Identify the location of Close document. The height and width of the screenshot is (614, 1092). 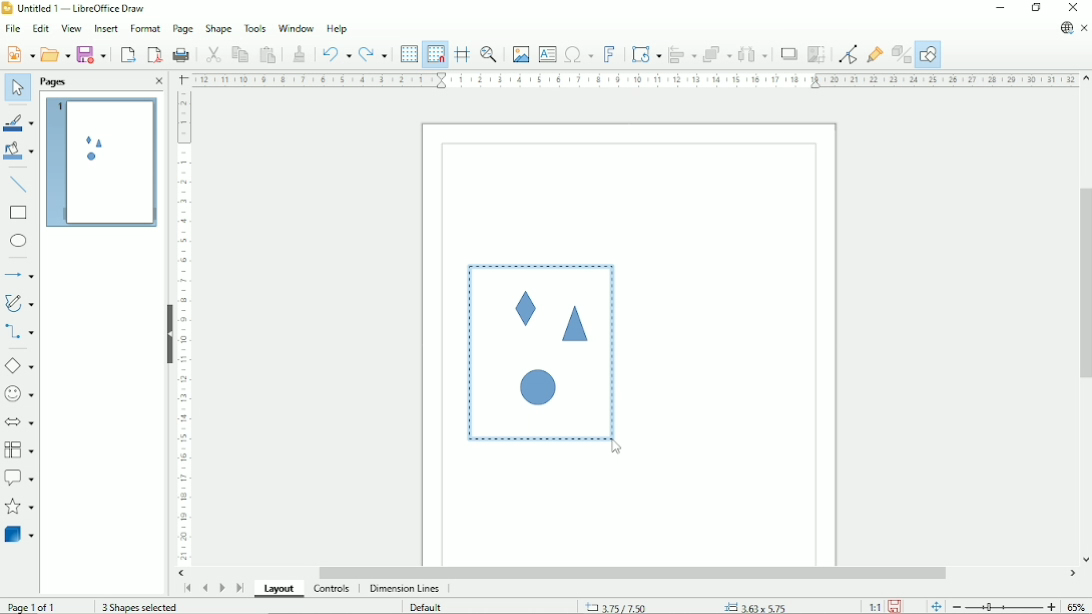
(1084, 28).